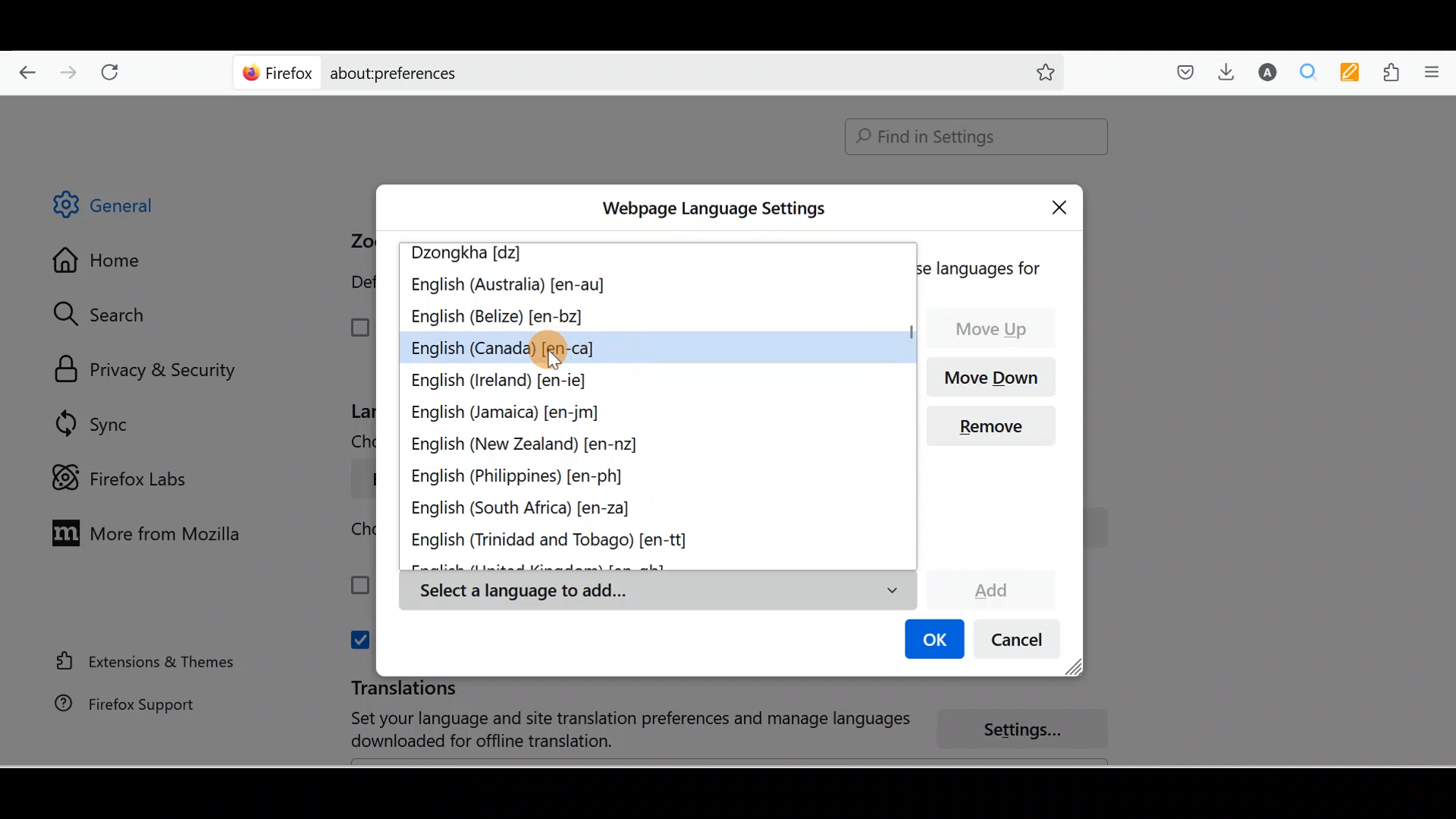 The width and height of the screenshot is (1456, 819). I want to click on English (Ireland) [en-ie], so click(504, 378).